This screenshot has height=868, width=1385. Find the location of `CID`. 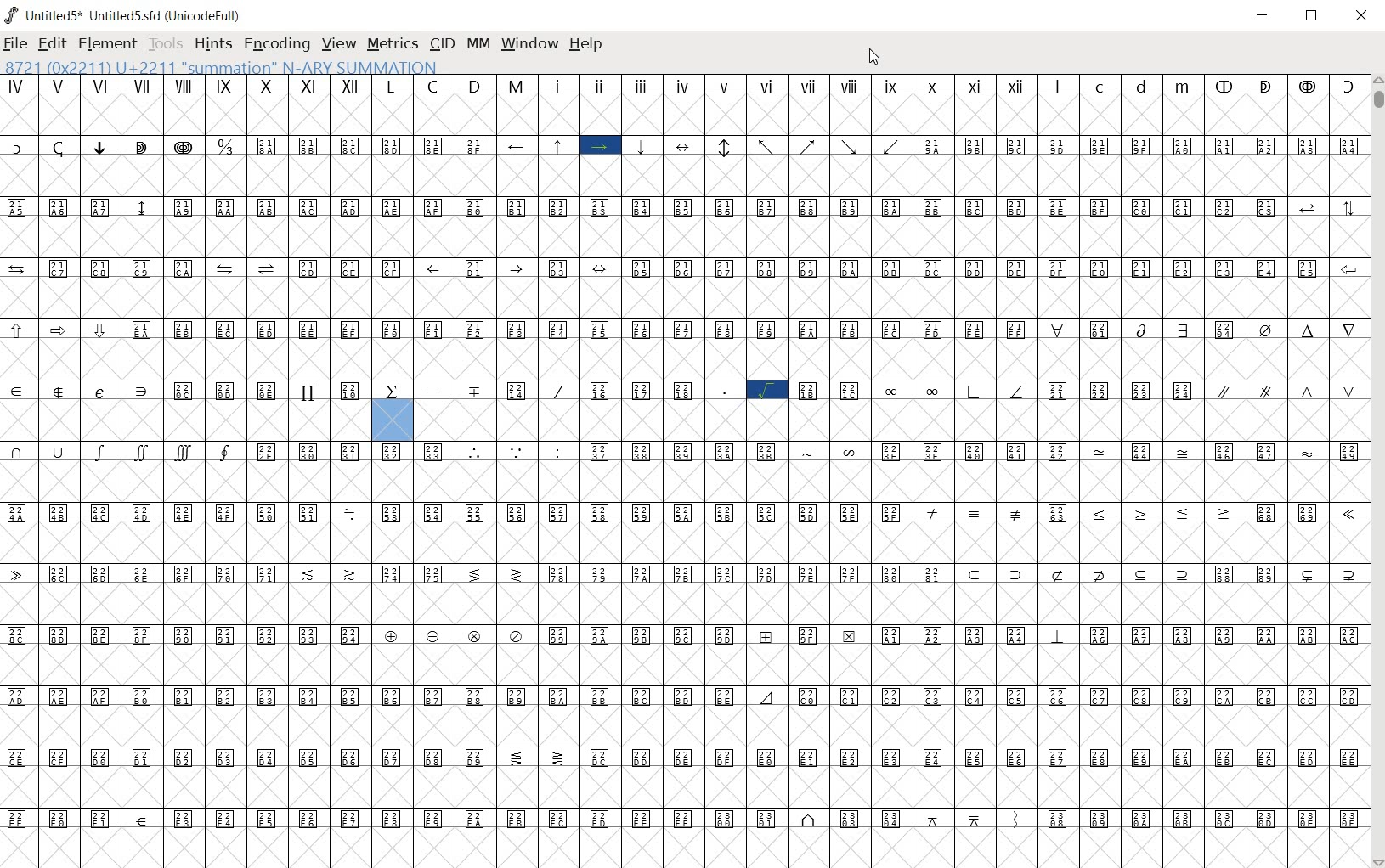

CID is located at coordinates (440, 44).